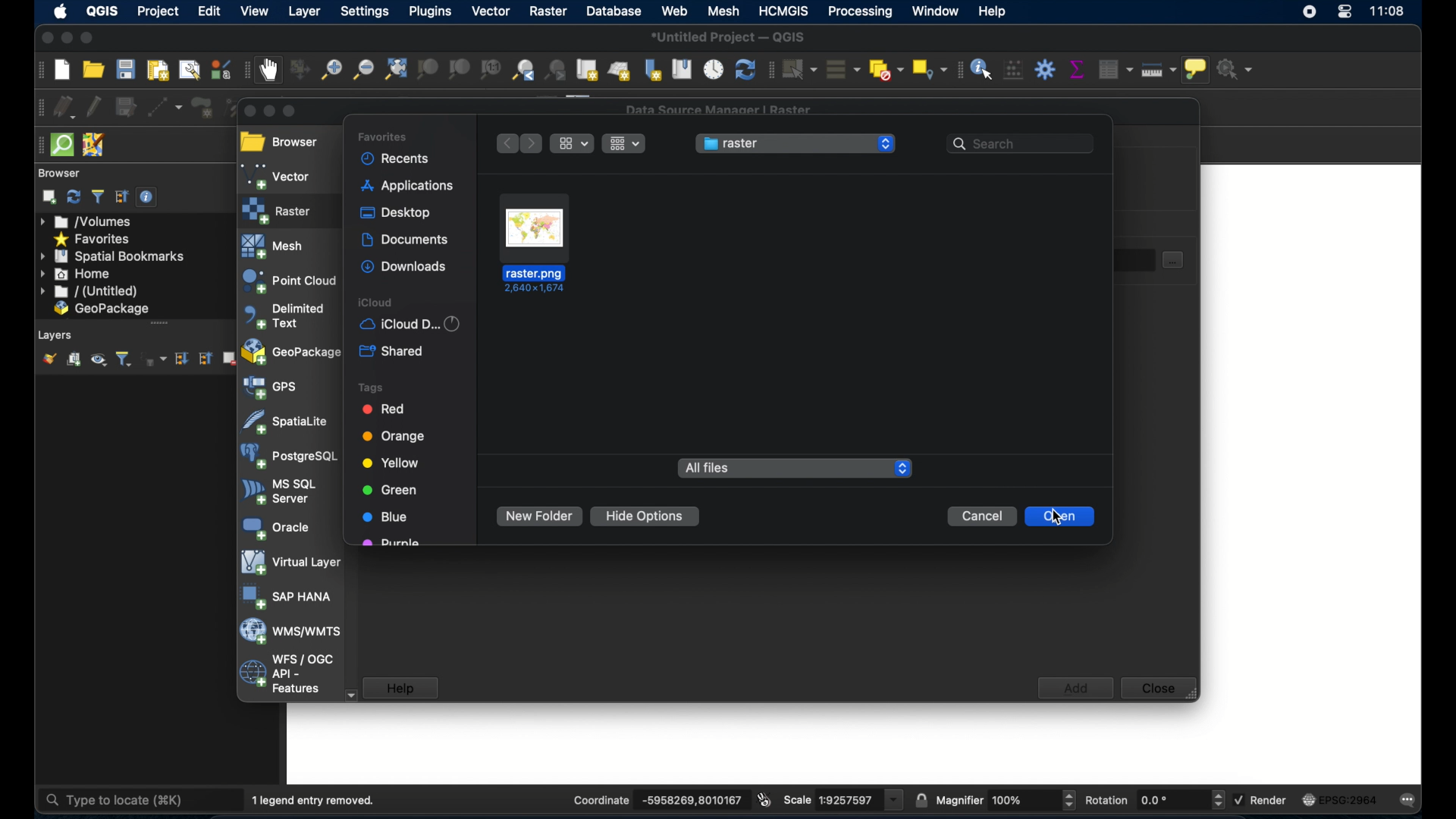  I want to click on virtual layer, so click(290, 561).